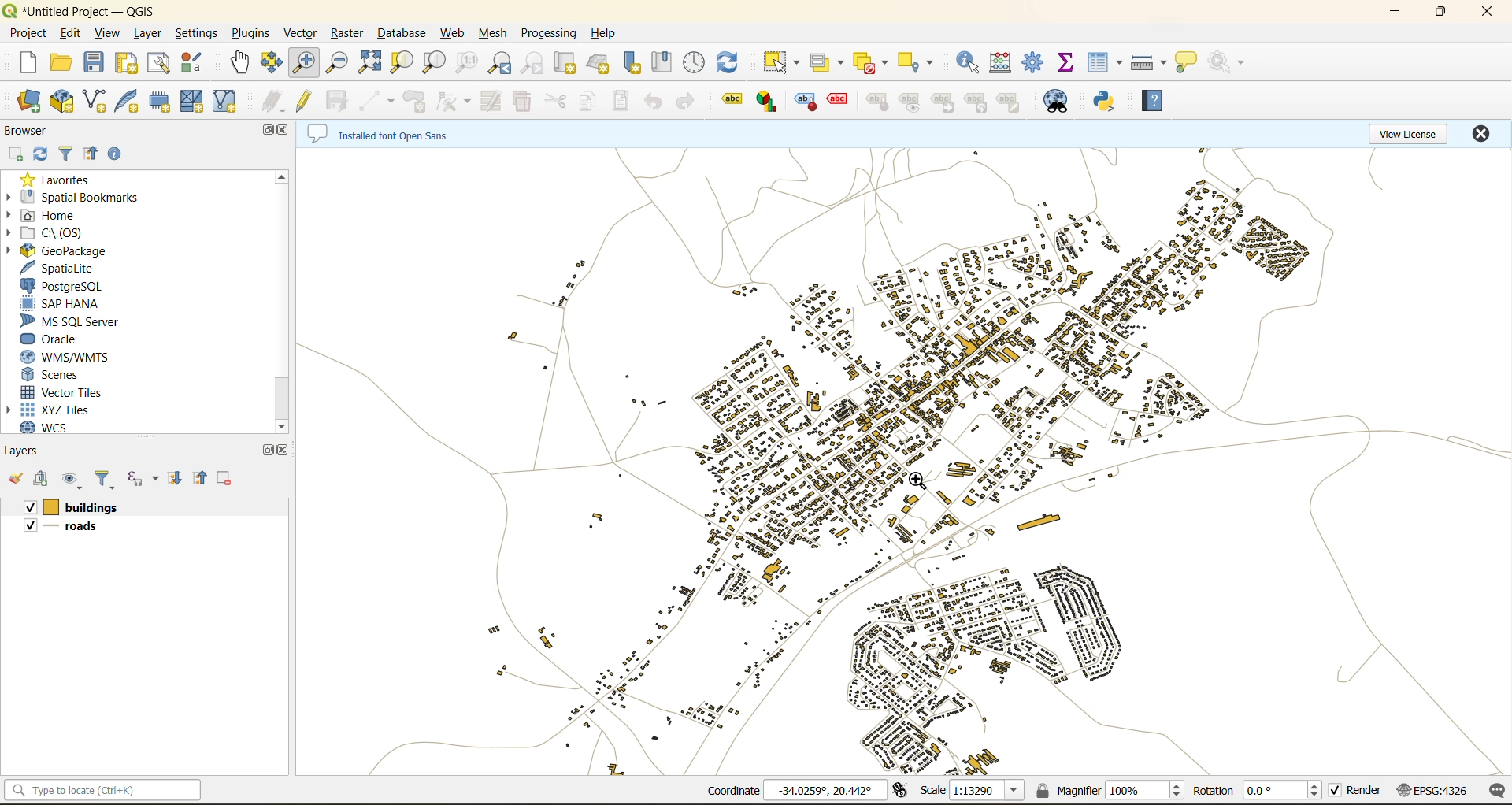 This screenshot has width=1512, height=805. I want to click on cursor, so click(922, 480).